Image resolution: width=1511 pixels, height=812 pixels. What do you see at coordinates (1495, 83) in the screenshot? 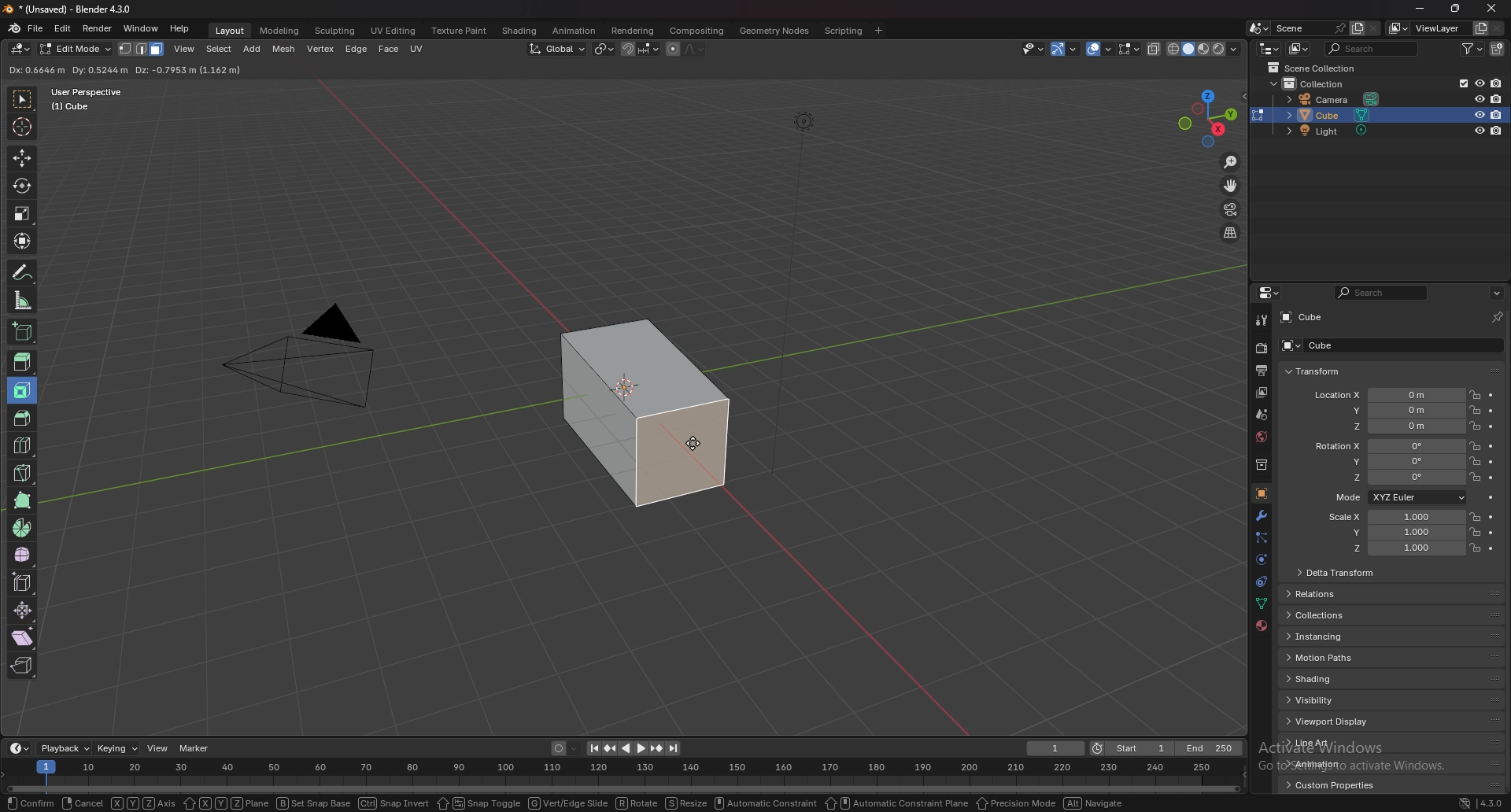
I see `disable in render` at bounding box center [1495, 83].